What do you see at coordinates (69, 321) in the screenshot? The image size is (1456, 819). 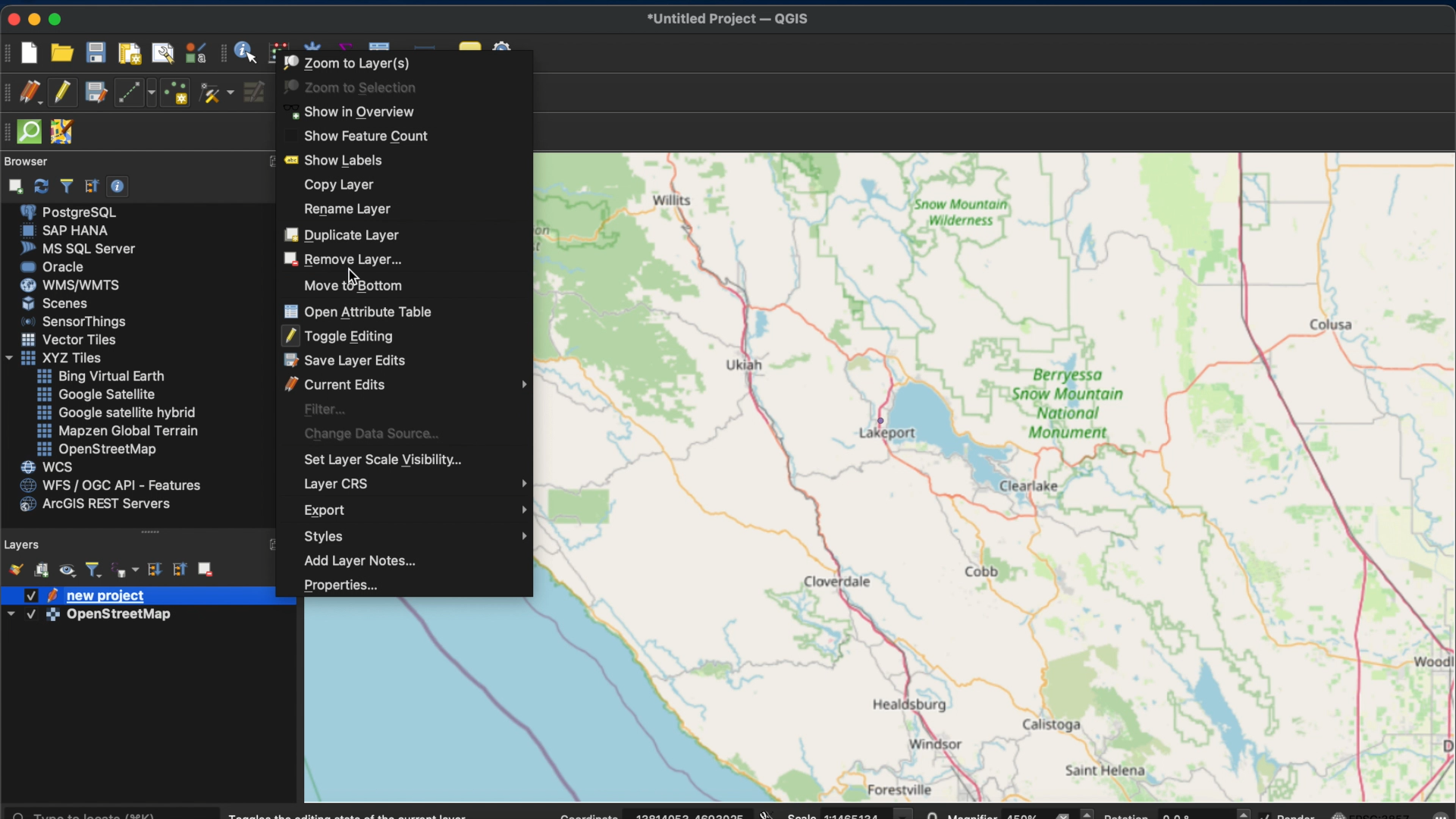 I see `sensor. things` at bounding box center [69, 321].